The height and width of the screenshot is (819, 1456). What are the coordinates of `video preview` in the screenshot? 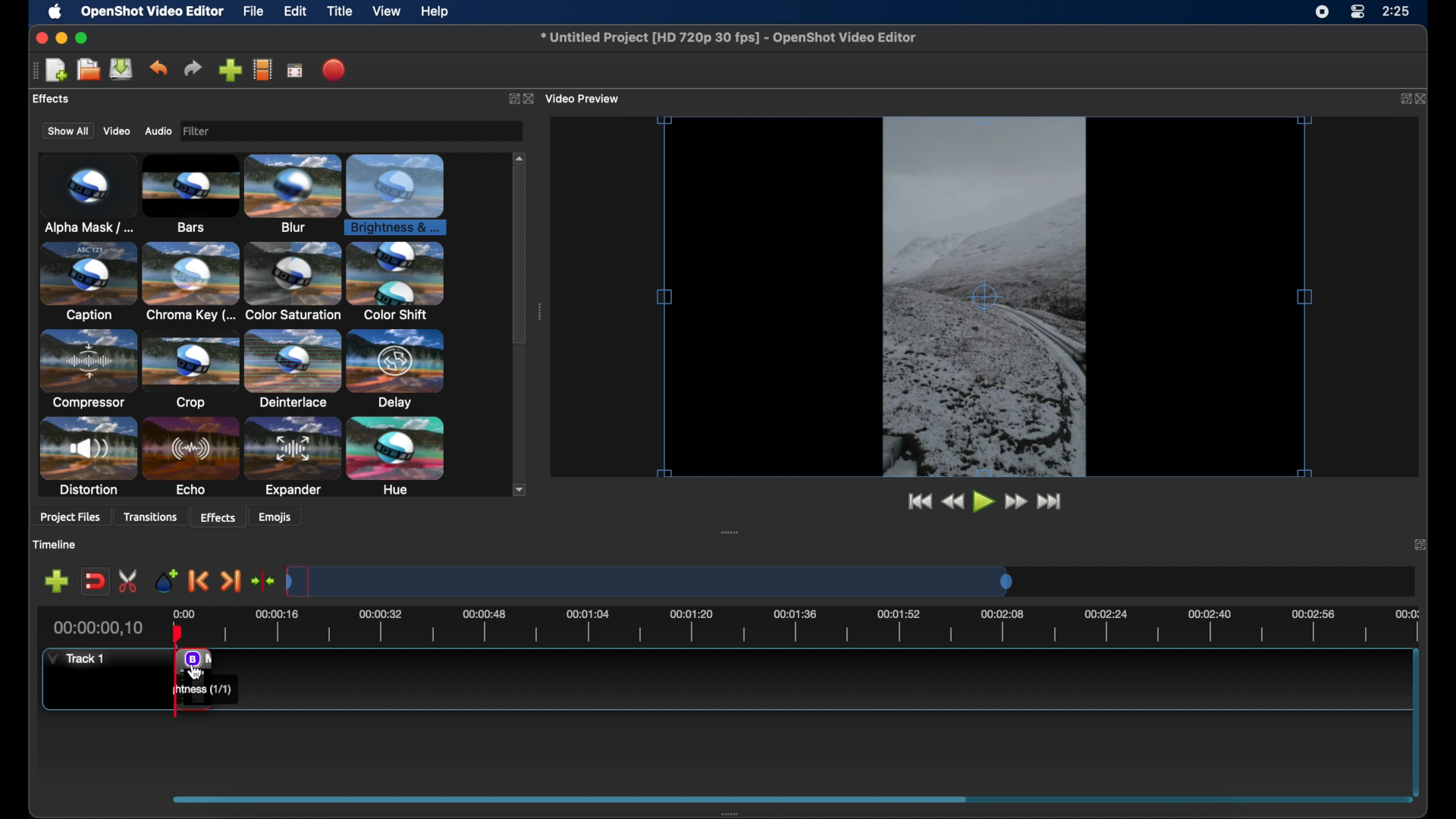 It's located at (984, 297).